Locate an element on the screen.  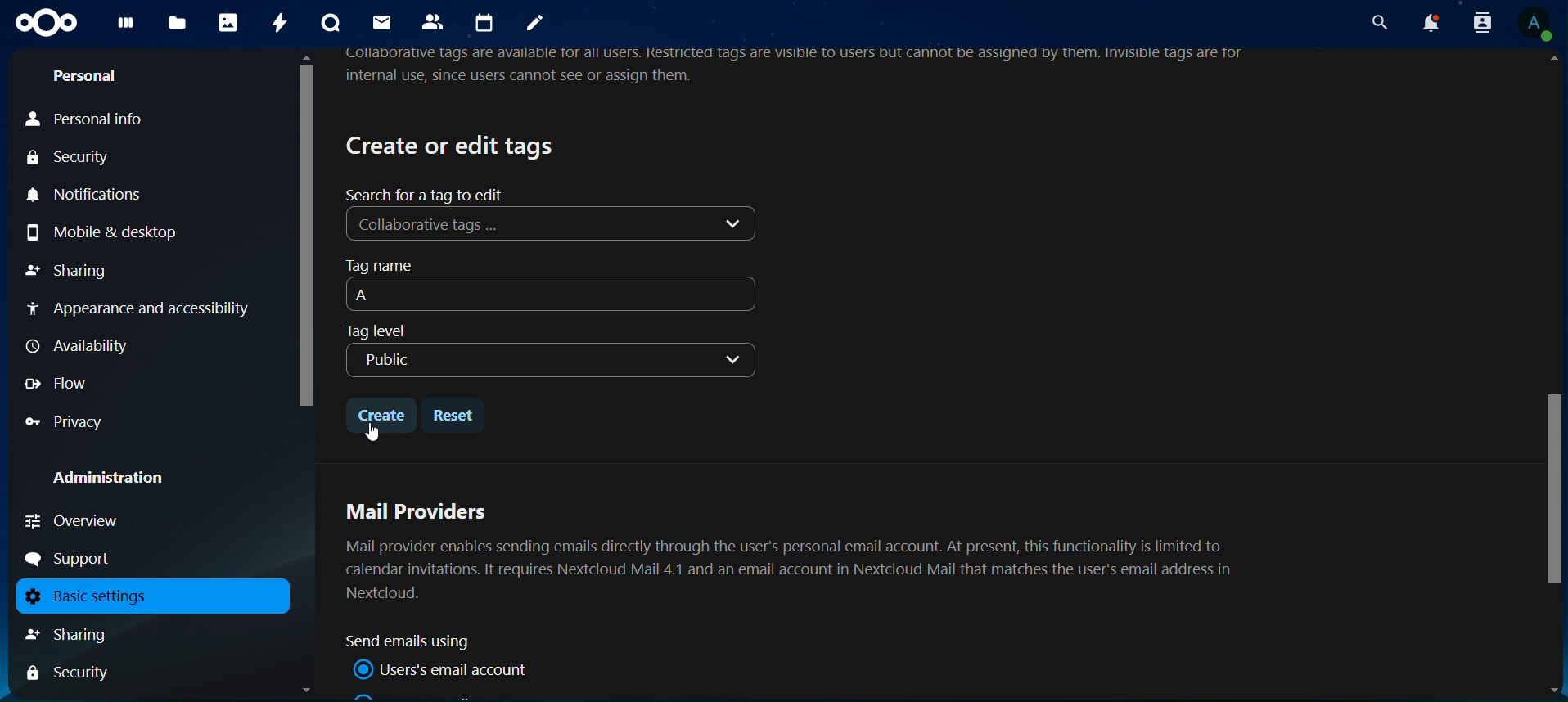
administration is located at coordinates (120, 479).